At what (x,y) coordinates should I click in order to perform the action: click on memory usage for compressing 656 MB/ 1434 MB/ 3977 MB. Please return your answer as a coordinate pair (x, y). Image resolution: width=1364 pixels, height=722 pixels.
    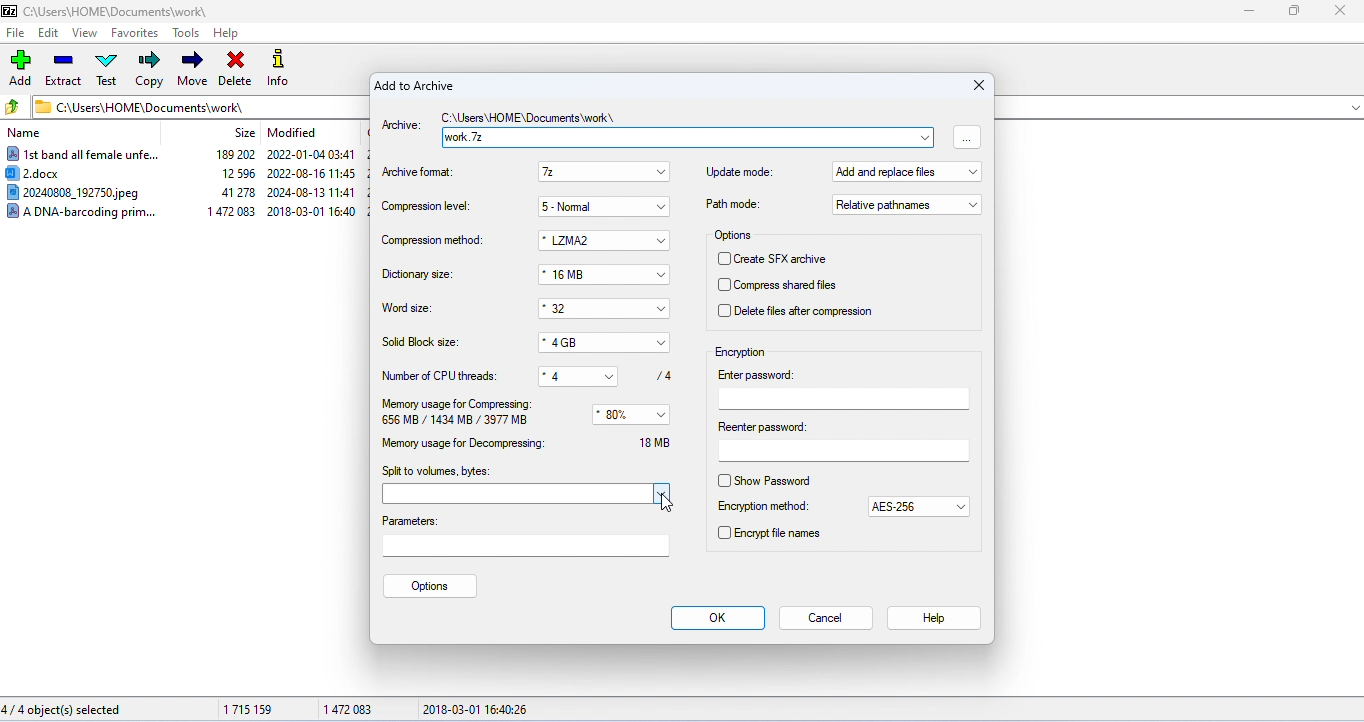
    Looking at the image, I should click on (459, 413).